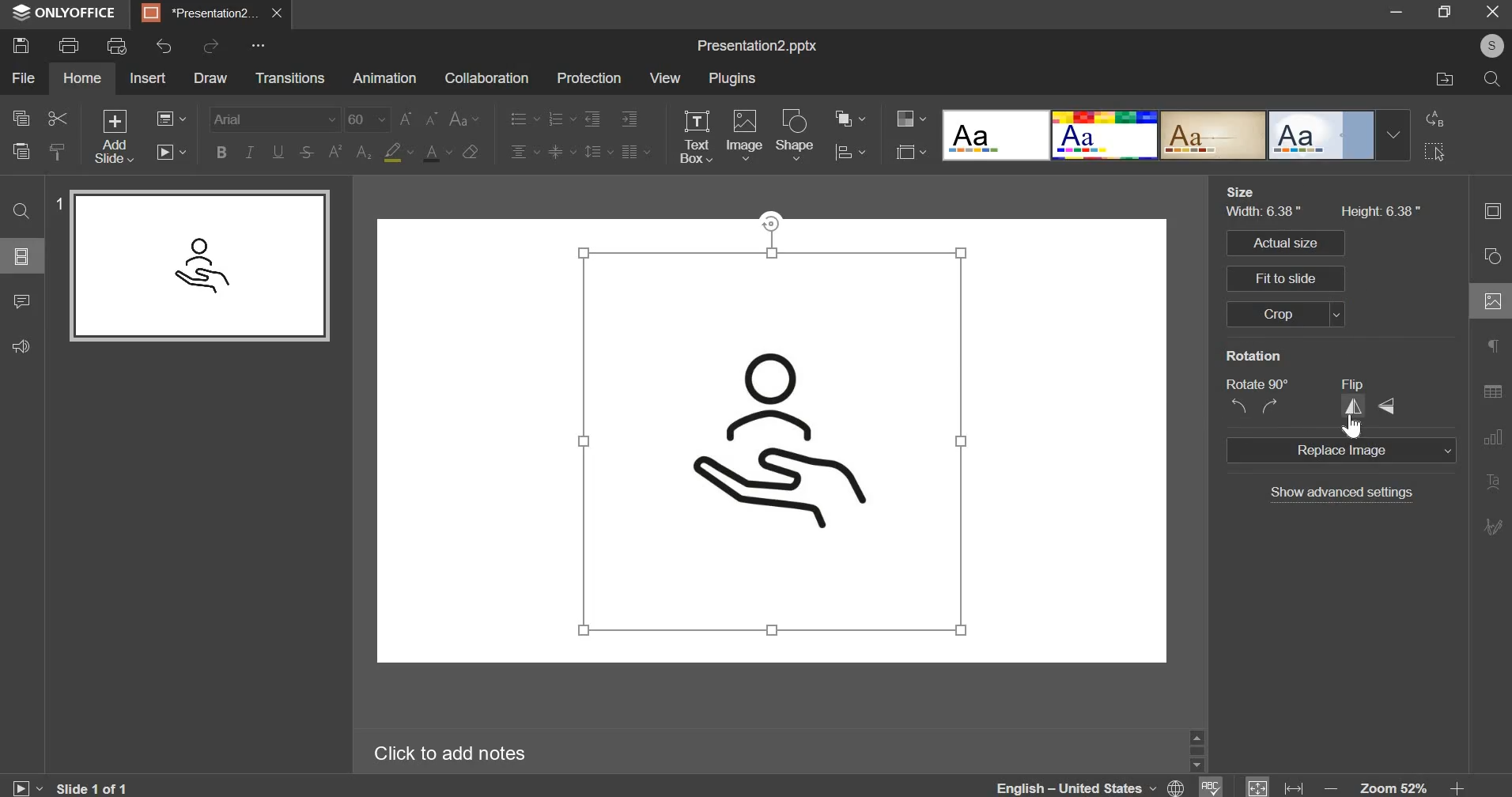 The width and height of the screenshot is (1512, 797). Describe the element at coordinates (1491, 304) in the screenshot. I see `image settings` at that location.